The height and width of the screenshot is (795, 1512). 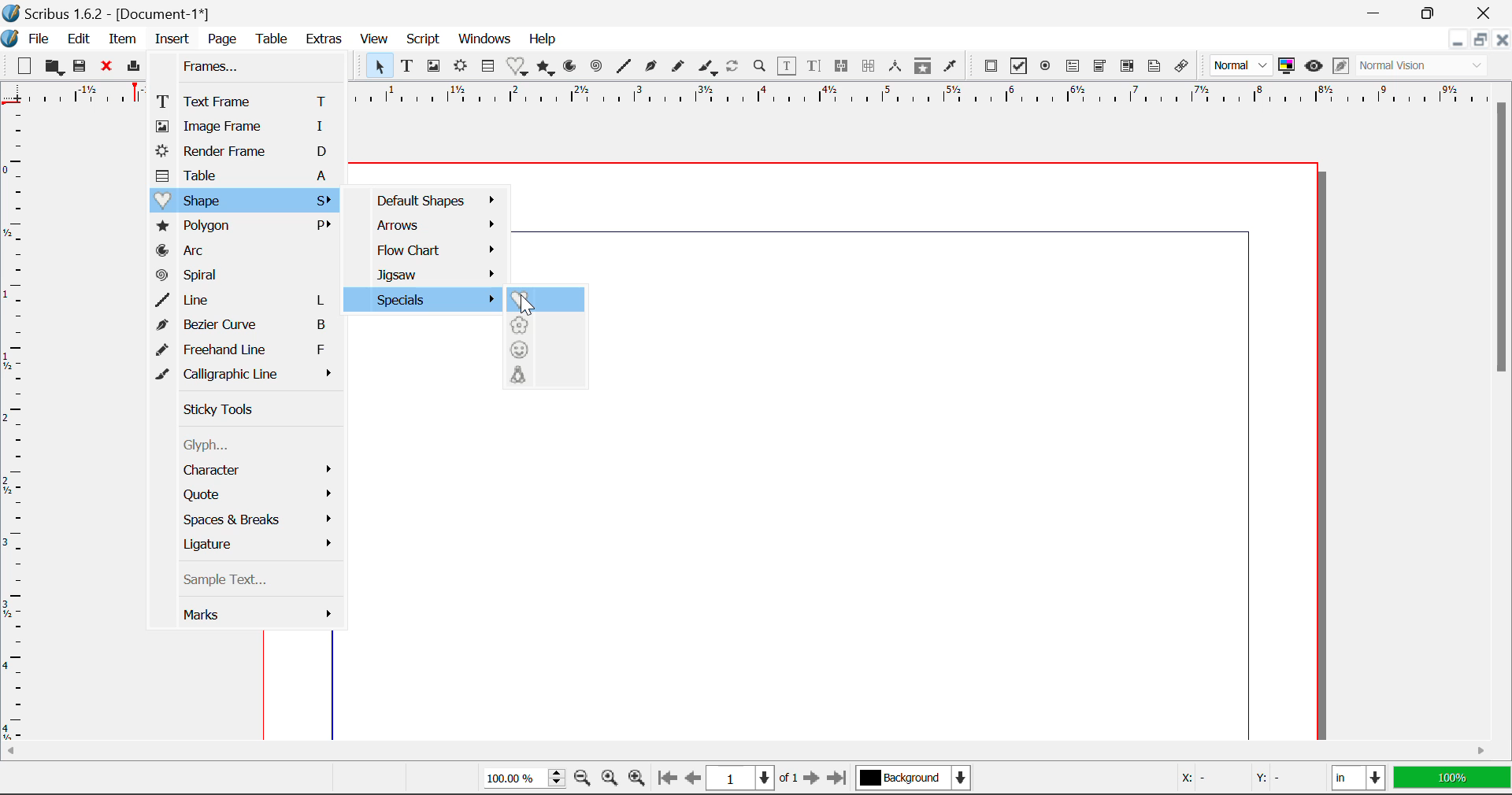 What do you see at coordinates (597, 67) in the screenshot?
I see `Spiral` at bounding box center [597, 67].